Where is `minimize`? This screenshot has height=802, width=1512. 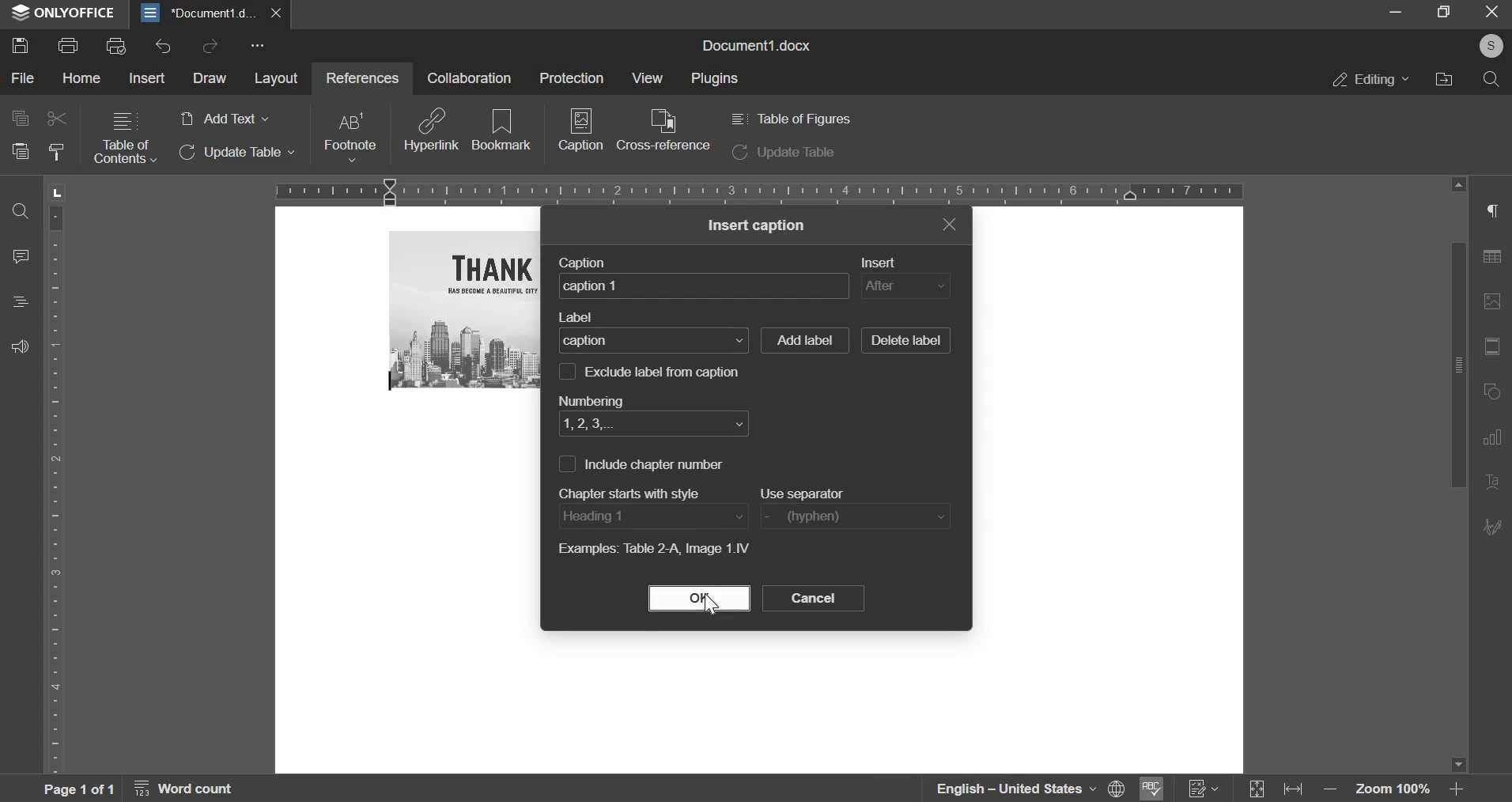 minimize is located at coordinates (1396, 13).